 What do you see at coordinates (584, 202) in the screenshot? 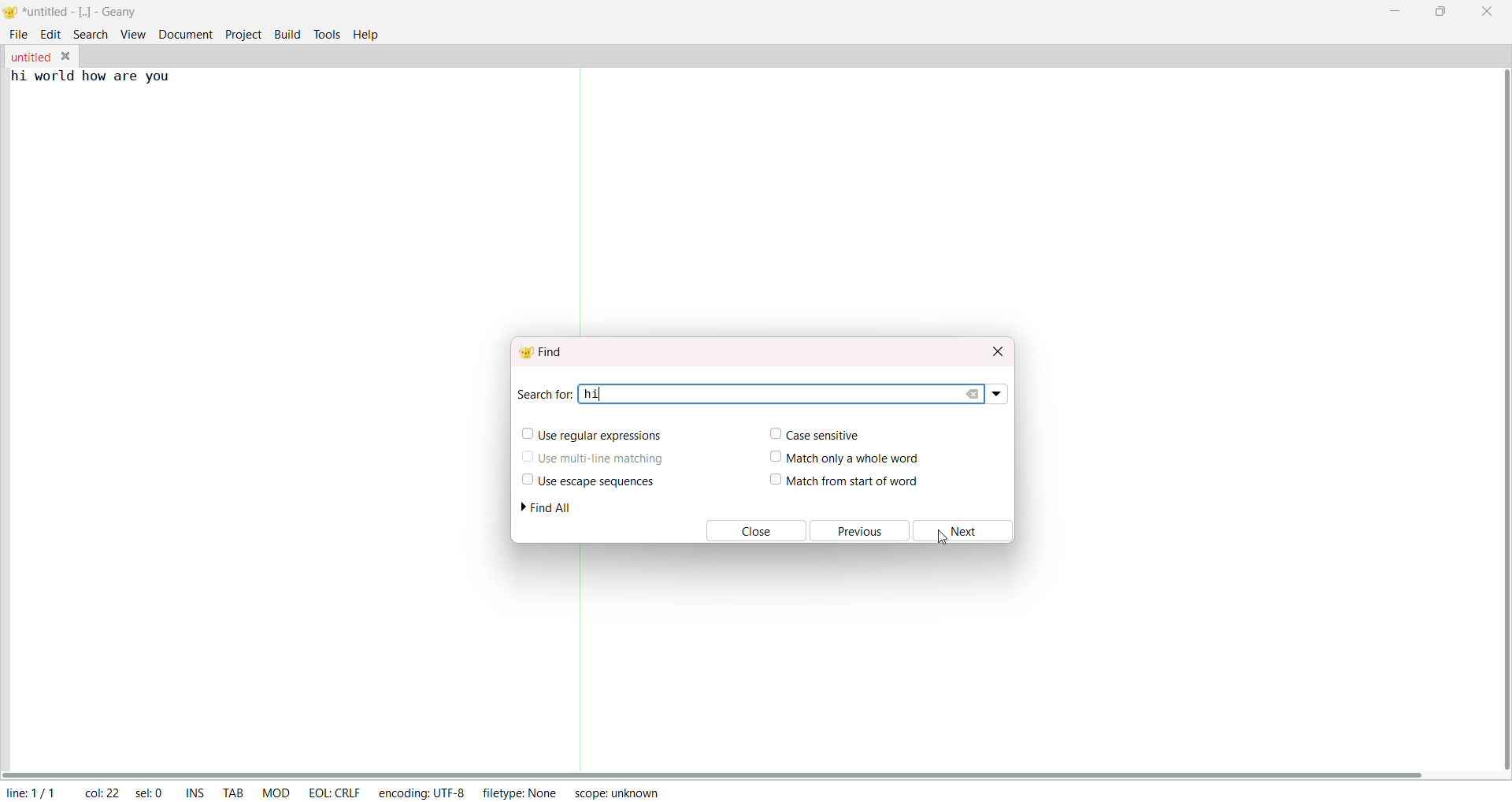
I see `separator` at bounding box center [584, 202].